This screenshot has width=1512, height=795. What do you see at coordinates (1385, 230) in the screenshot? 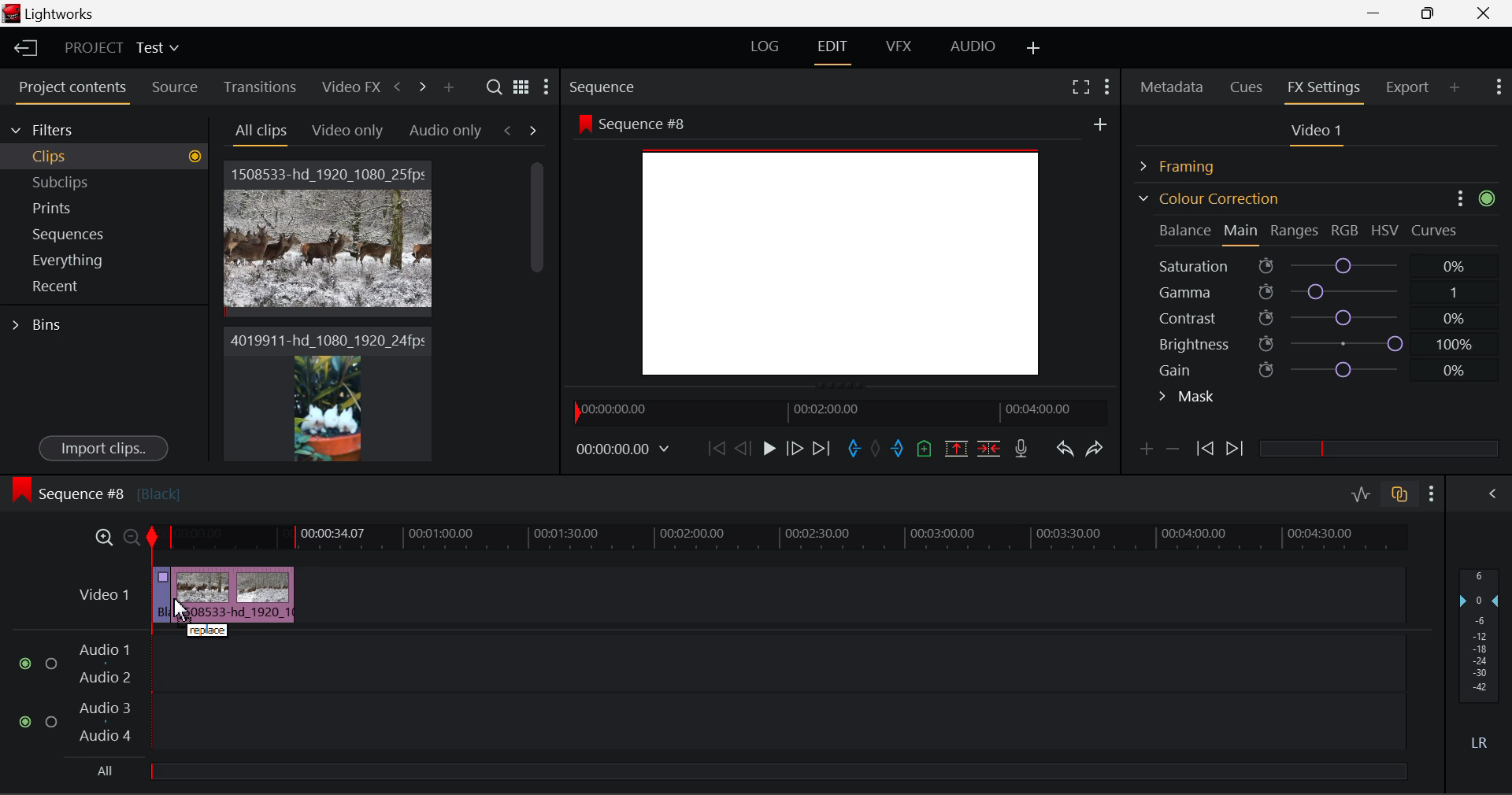
I see `HSV` at bounding box center [1385, 230].